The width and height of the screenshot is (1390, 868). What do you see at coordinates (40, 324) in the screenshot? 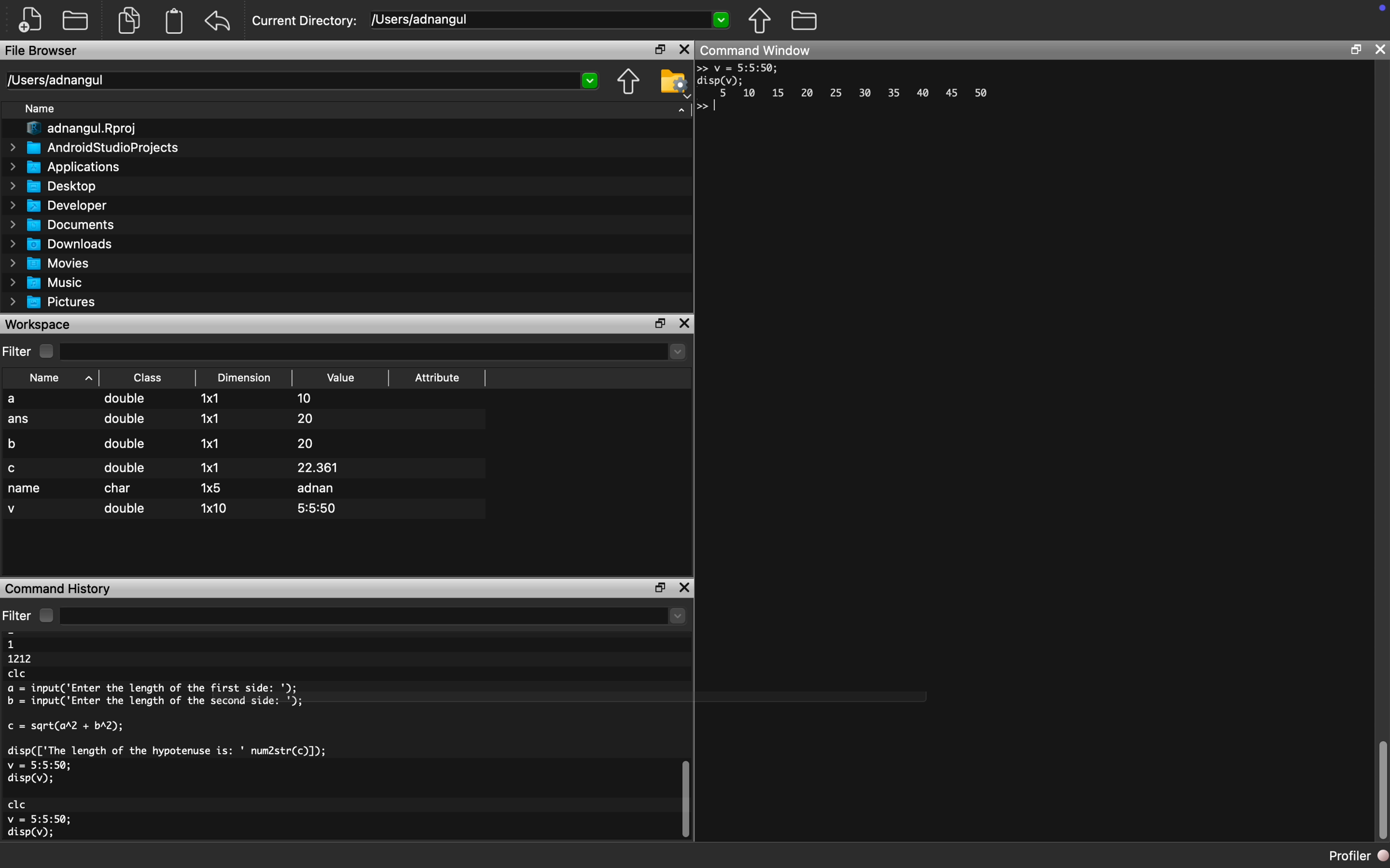
I see `Workspace` at bounding box center [40, 324].